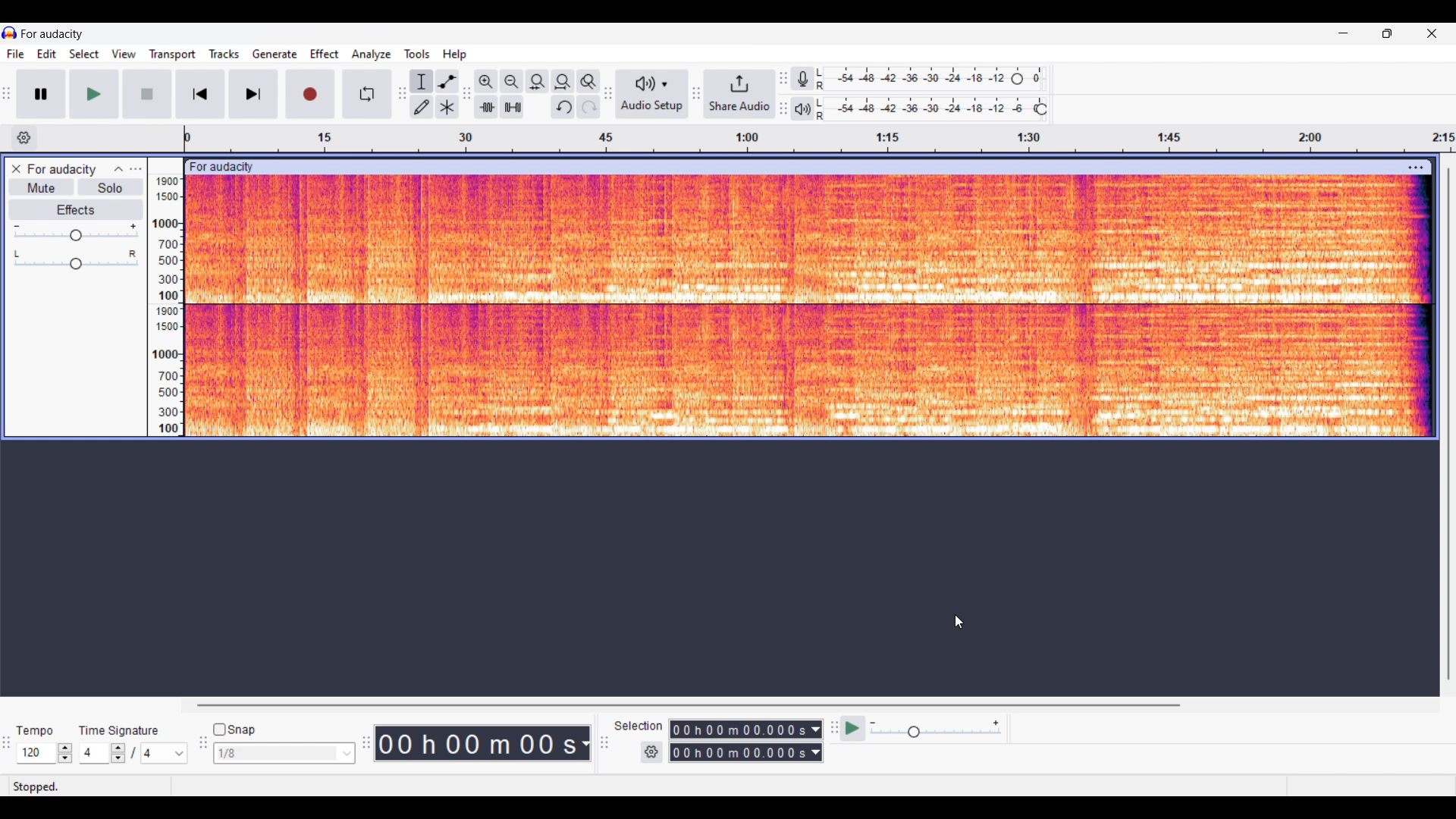 The width and height of the screenshot is (1456, 819). What do you see at coordinates (588, 107) in the screenshot?
I see `Redo` at bounding box center [588, 107].